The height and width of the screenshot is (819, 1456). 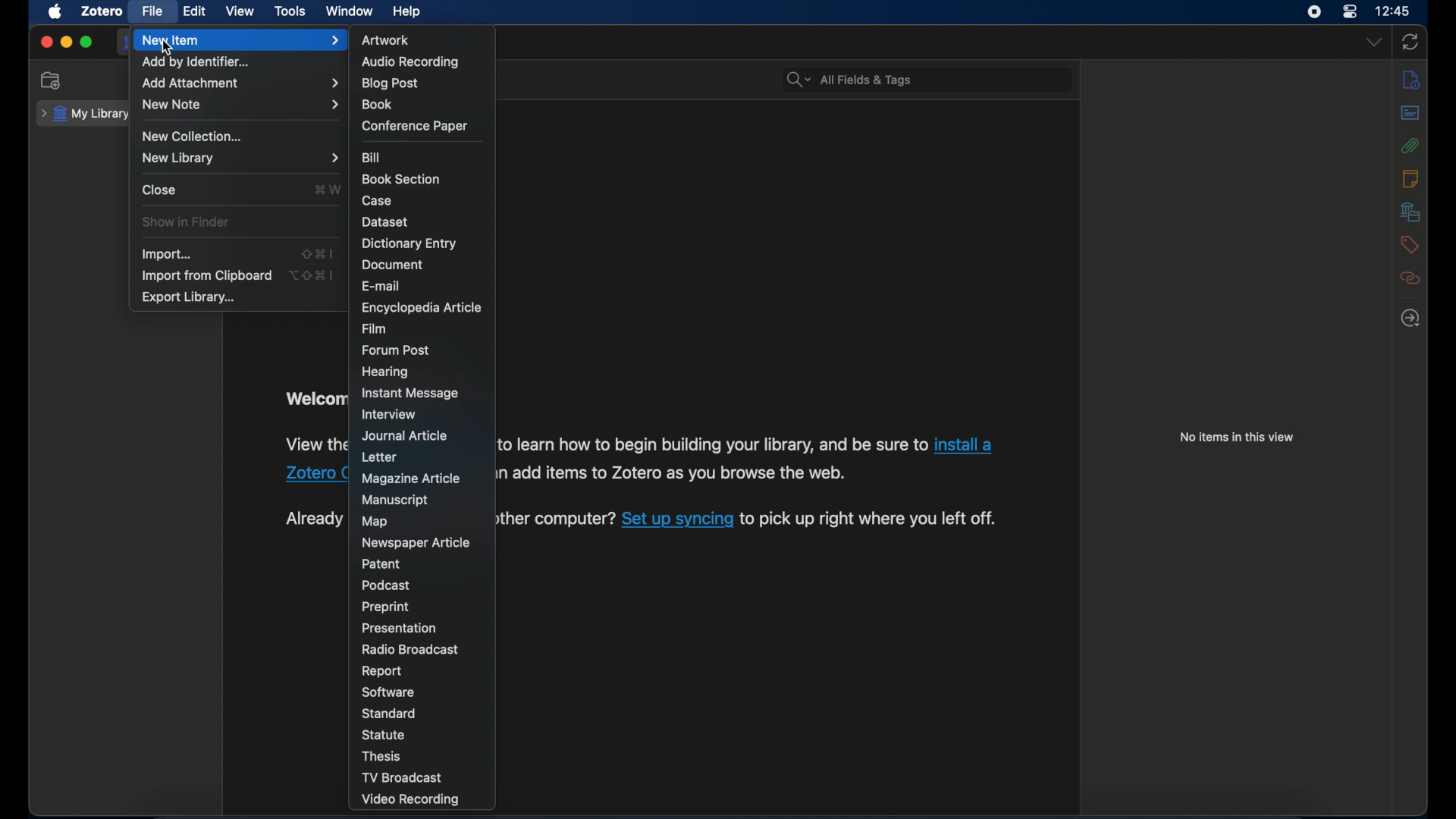 I want to click on book, so click(x=377, y=104).